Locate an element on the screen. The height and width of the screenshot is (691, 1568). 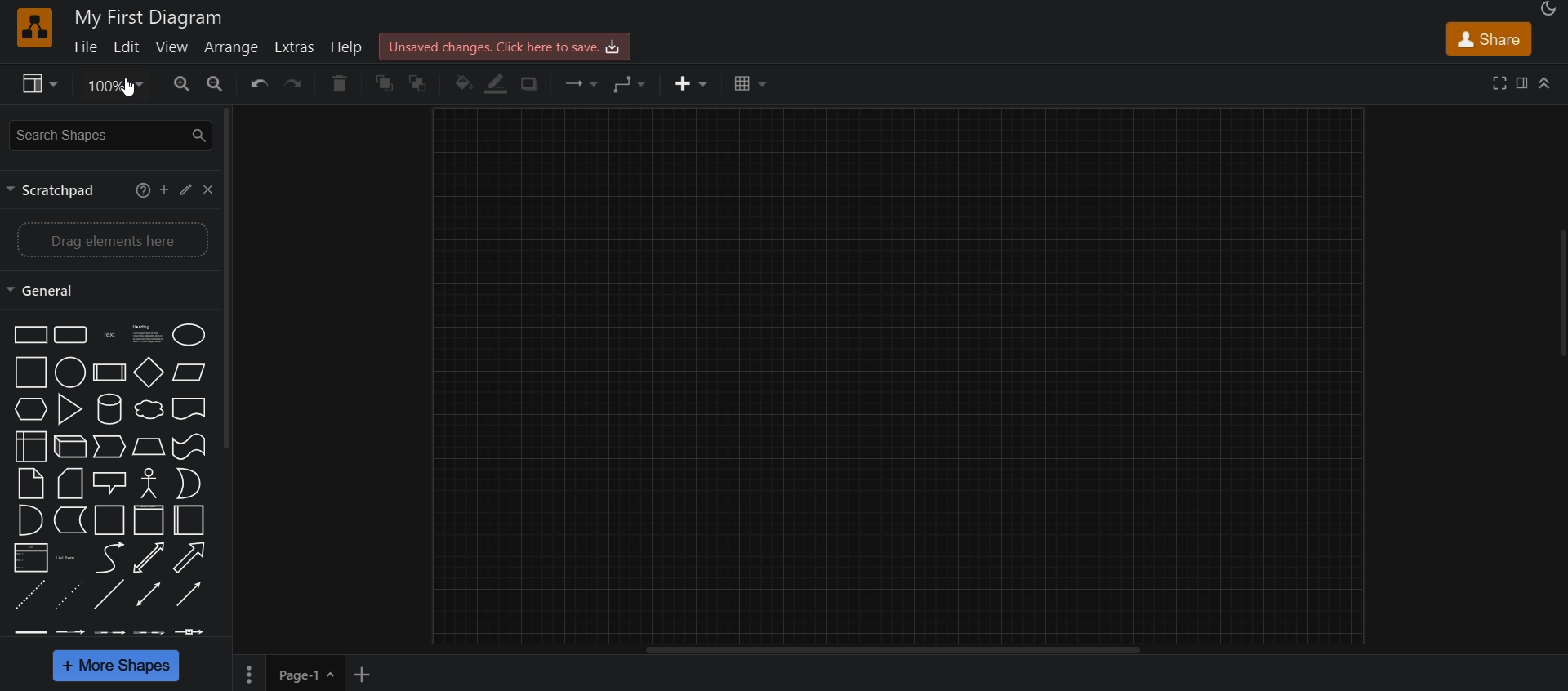
shapes is located at coordinates (109, 475).